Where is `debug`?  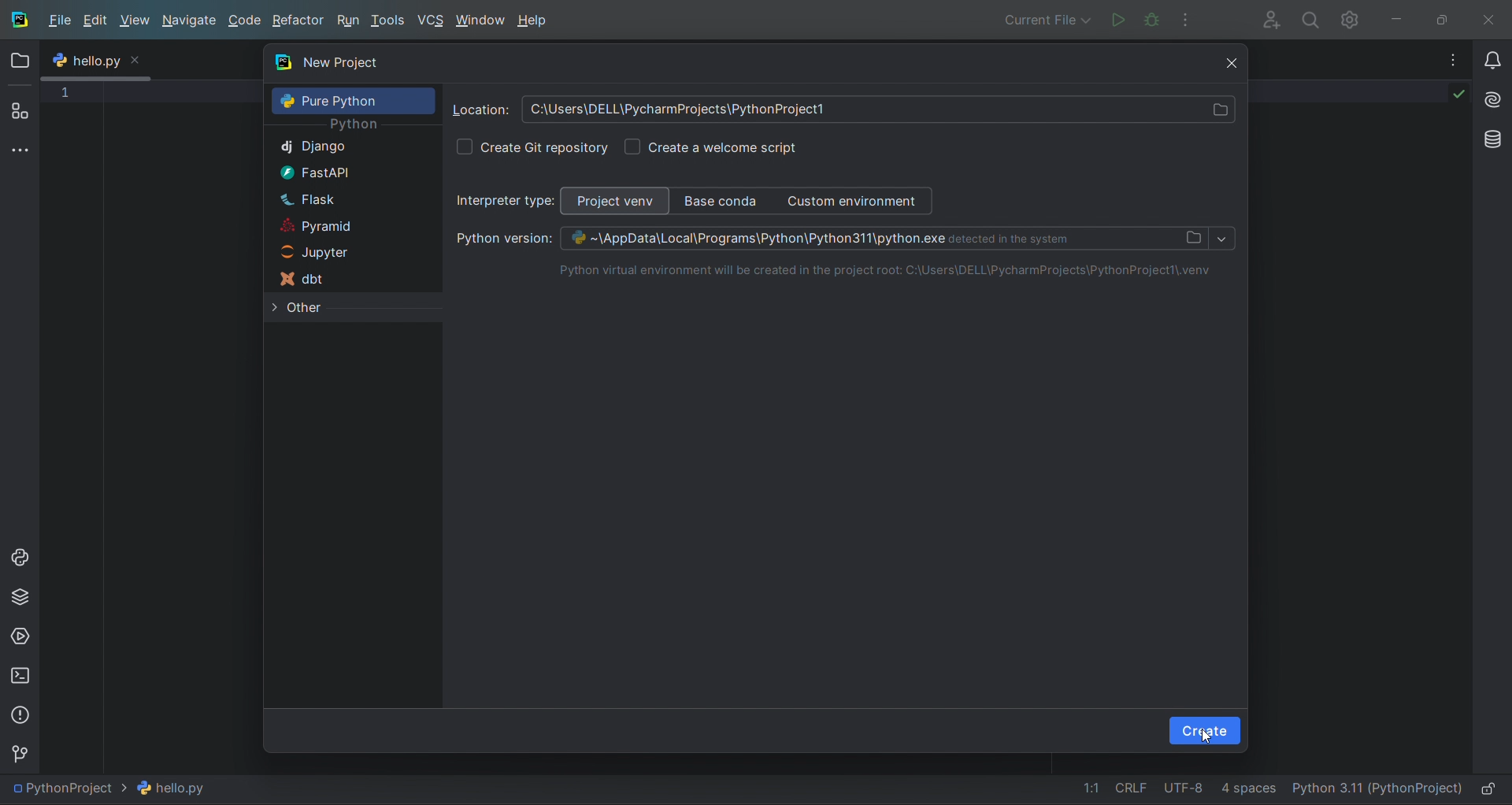
debug is located at coordinates (1151, 19).